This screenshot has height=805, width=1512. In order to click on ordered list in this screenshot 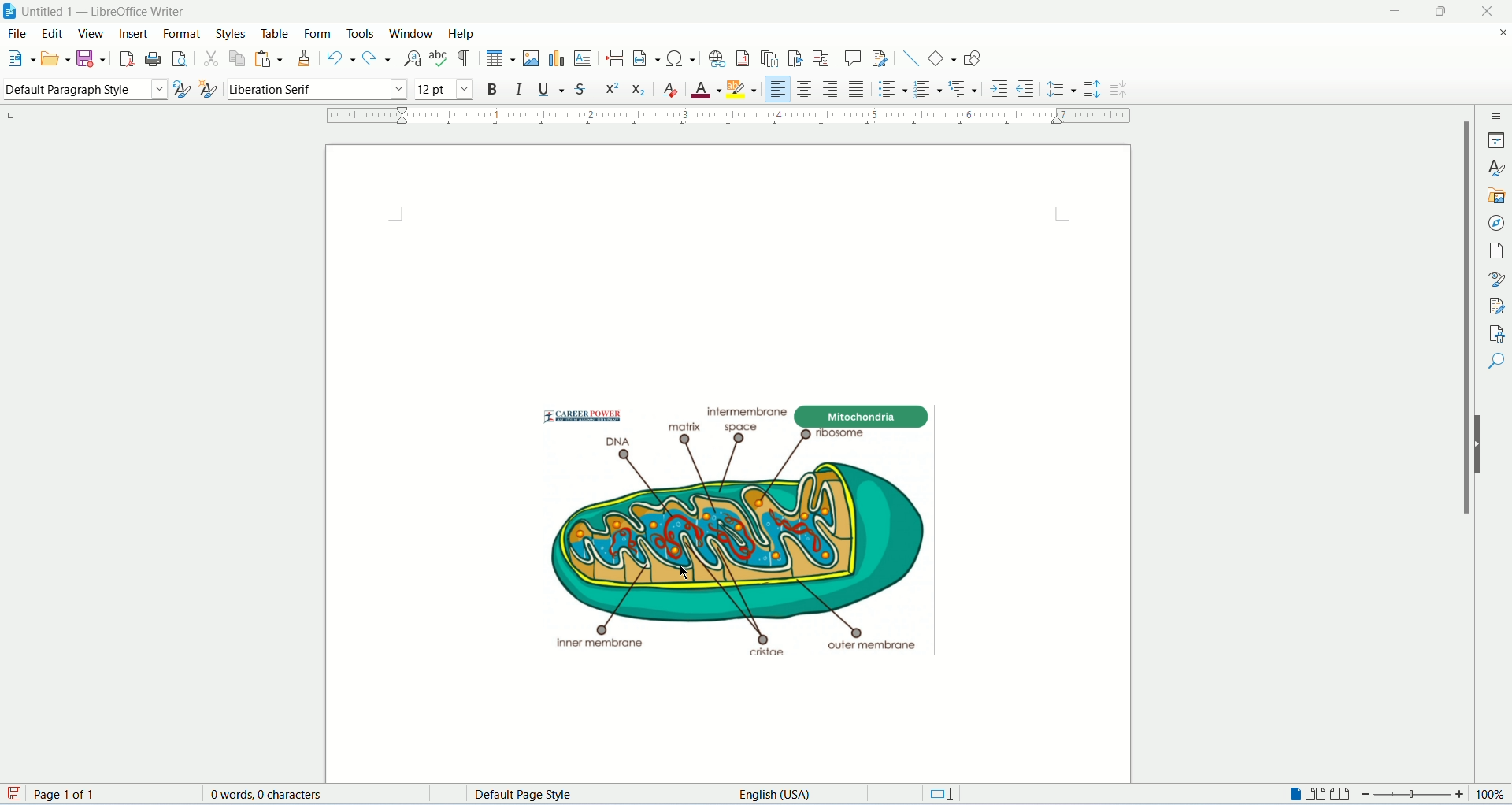, I will do `click(927, 91)`.